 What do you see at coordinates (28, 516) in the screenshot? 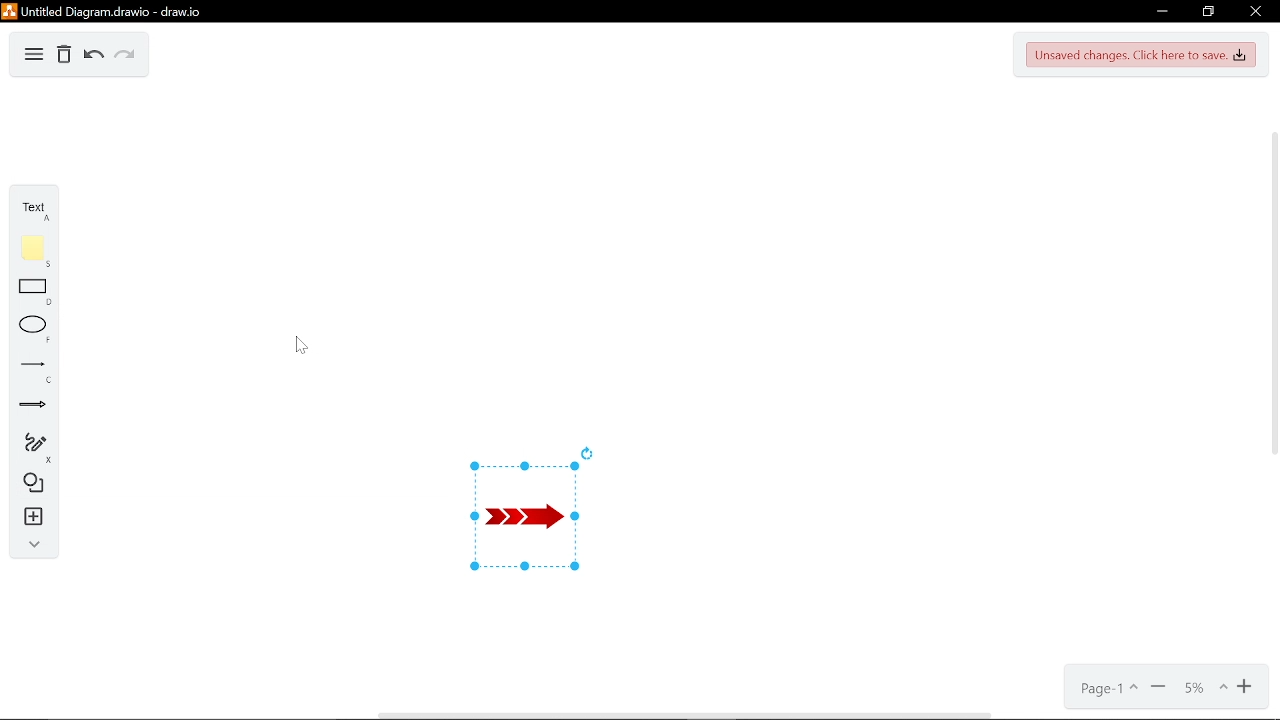
I see `Insert` at bounding box center [28, 516].